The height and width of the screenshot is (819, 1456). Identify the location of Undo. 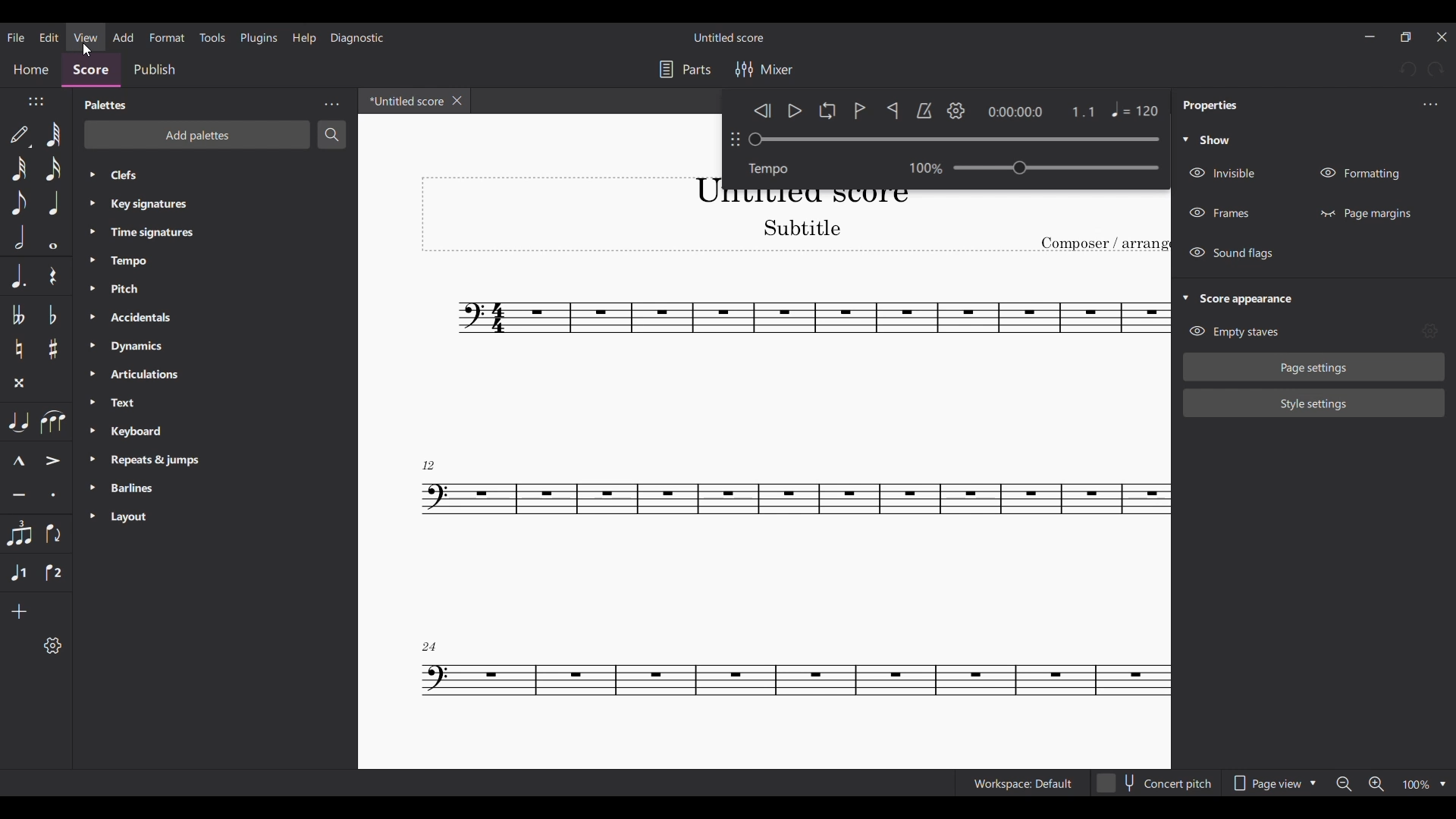
(1407, 69).